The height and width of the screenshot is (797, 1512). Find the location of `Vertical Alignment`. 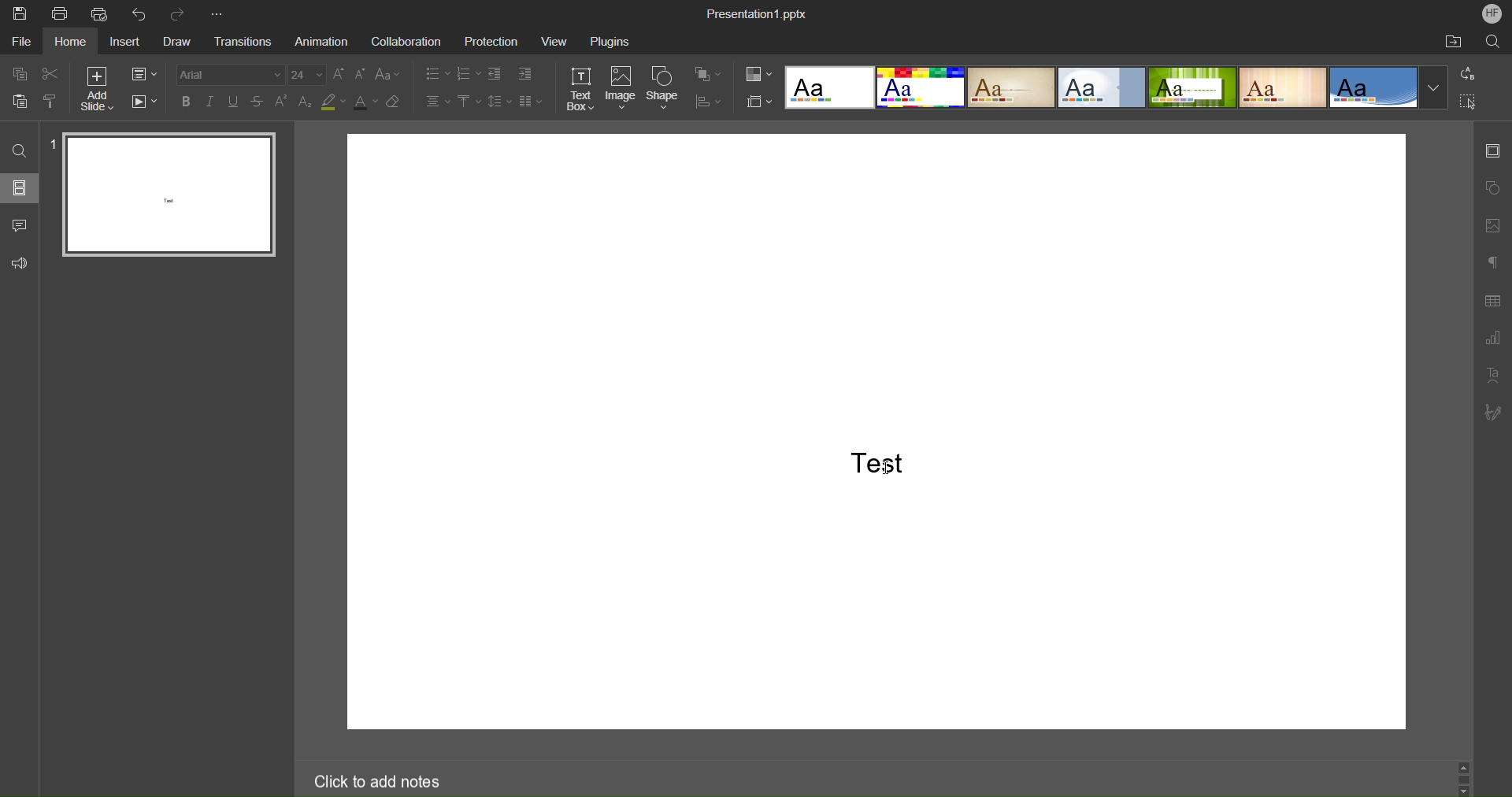

Vertical Alignment is located at coordinates (469, 103).